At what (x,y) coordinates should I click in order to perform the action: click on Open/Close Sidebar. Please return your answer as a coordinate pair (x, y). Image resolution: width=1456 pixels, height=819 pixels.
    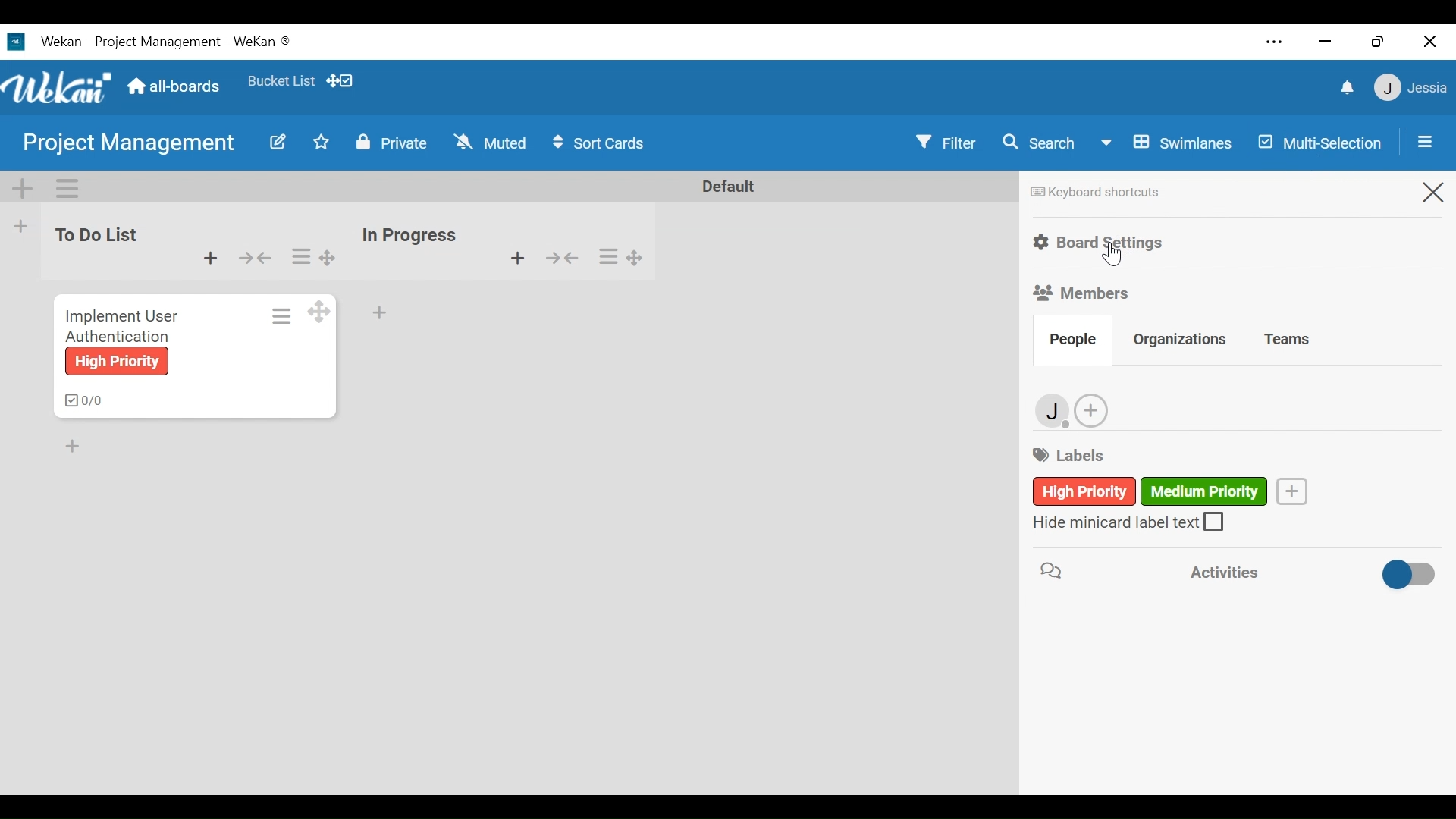
    Looking at the image, I should click on (1423, 142).